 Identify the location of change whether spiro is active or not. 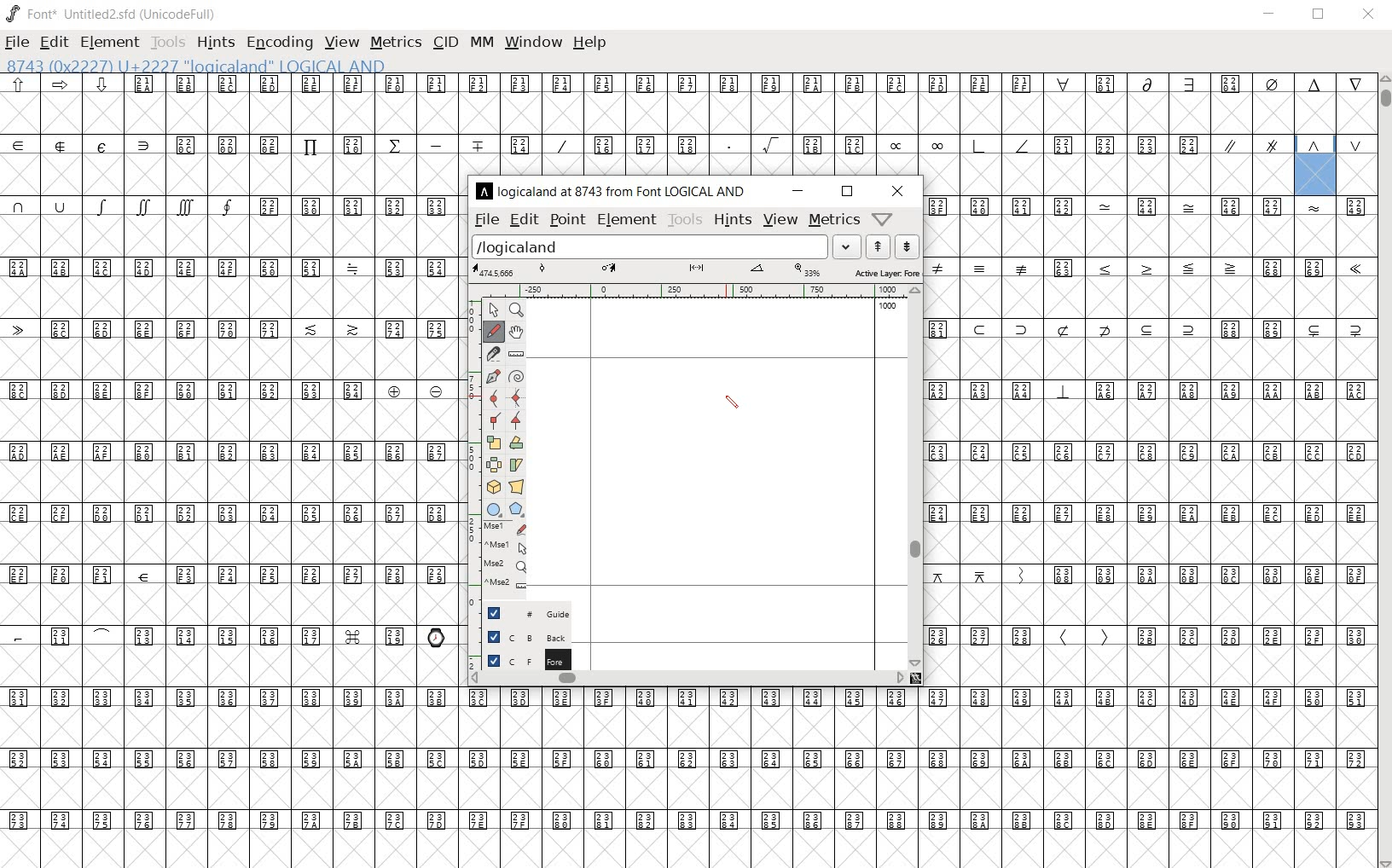
(518, 377).